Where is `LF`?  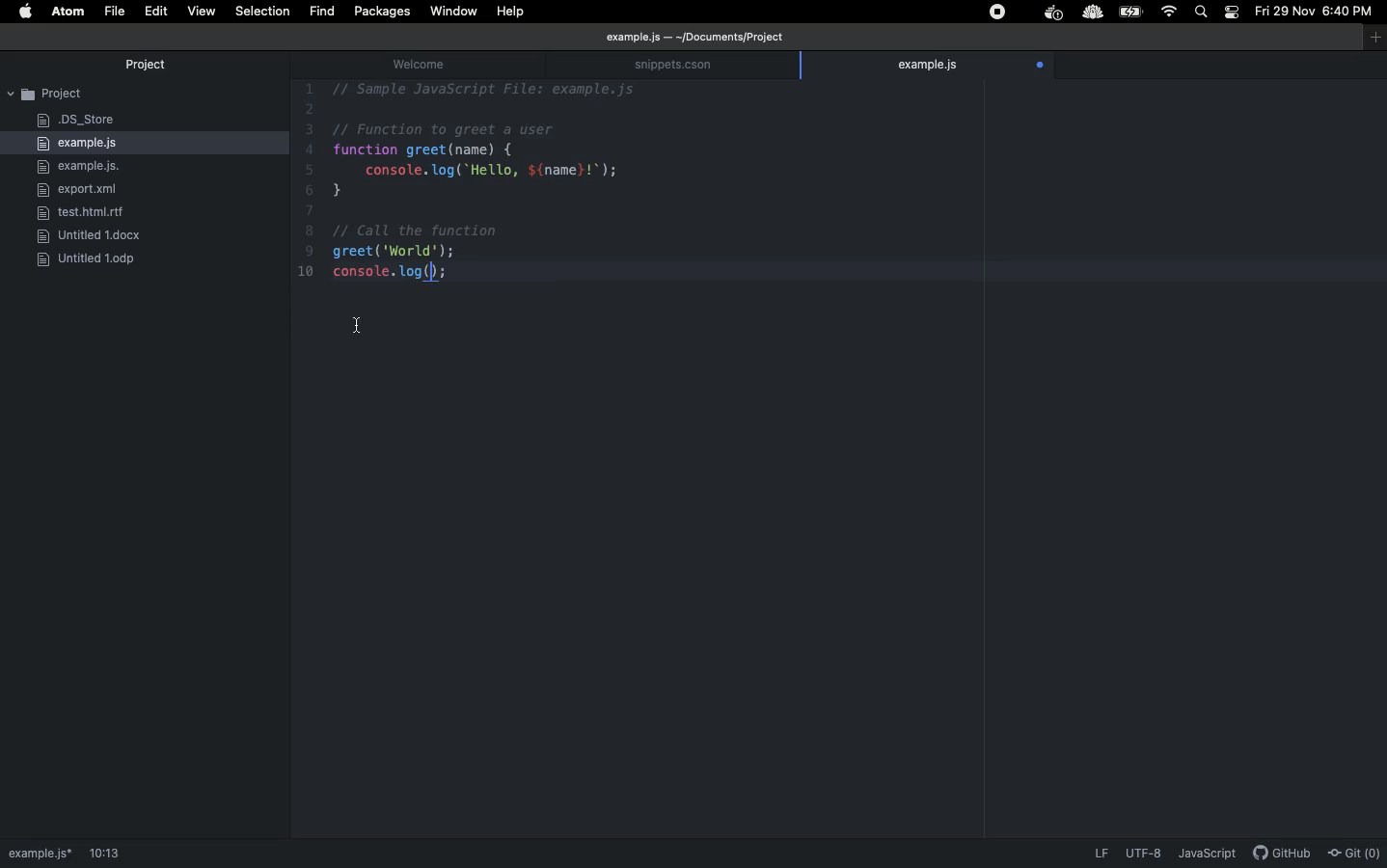
LF is located at coordinates (1100, 855).